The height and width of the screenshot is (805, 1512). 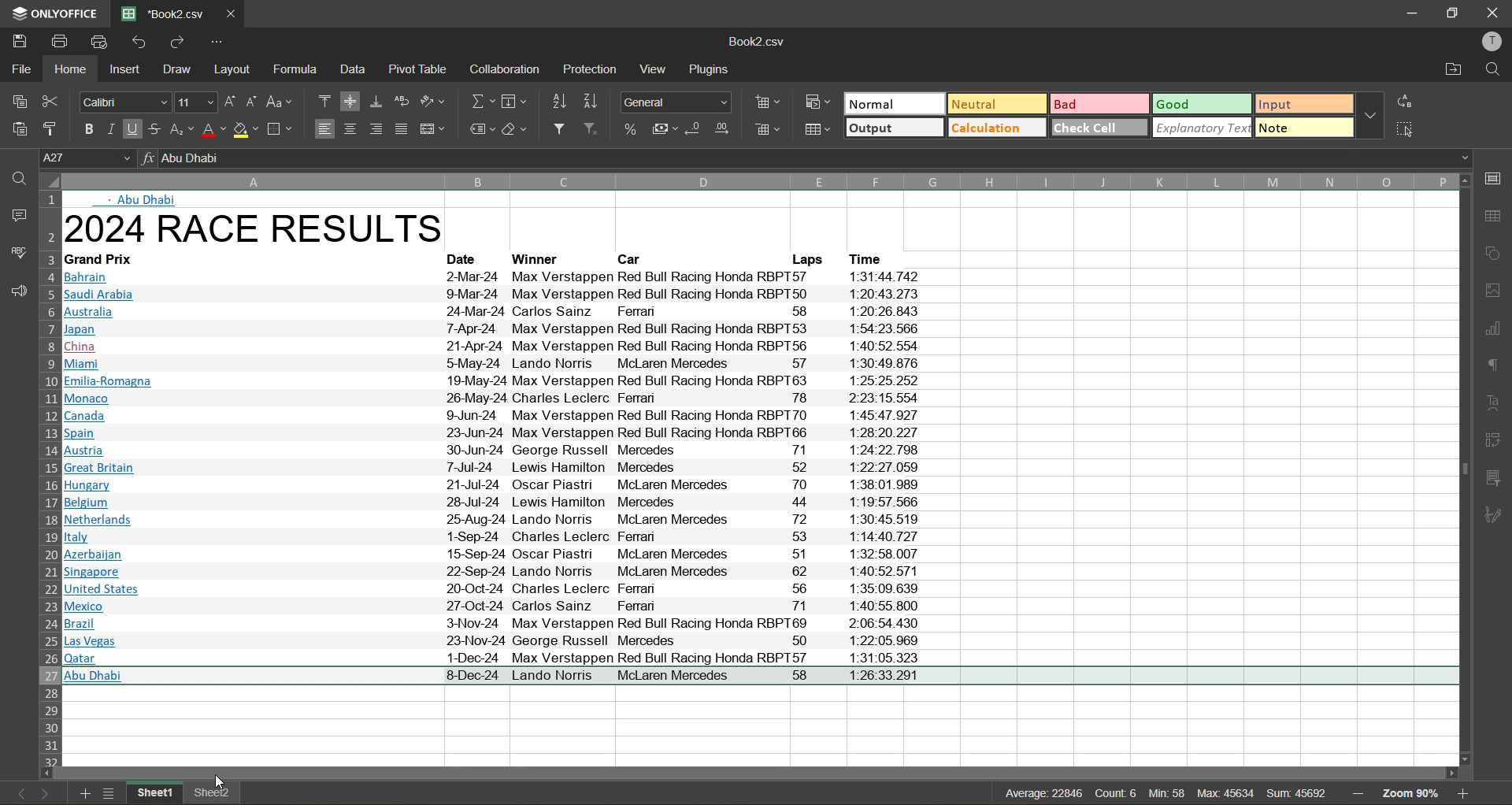 I want to click on undo, so click(x=139, y=42).